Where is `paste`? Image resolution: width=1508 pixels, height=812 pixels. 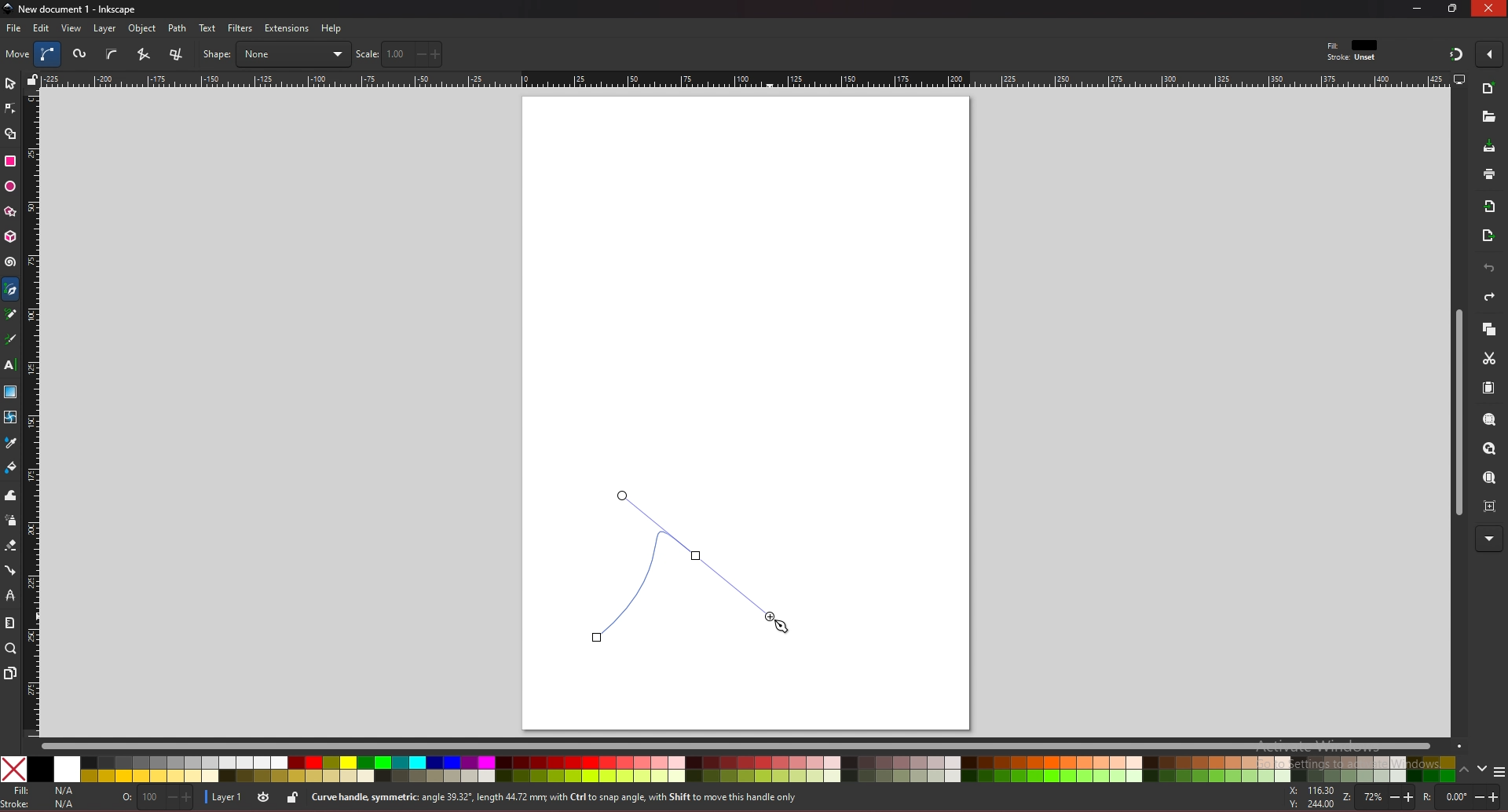 paste is located at coordinates (1488, 389).